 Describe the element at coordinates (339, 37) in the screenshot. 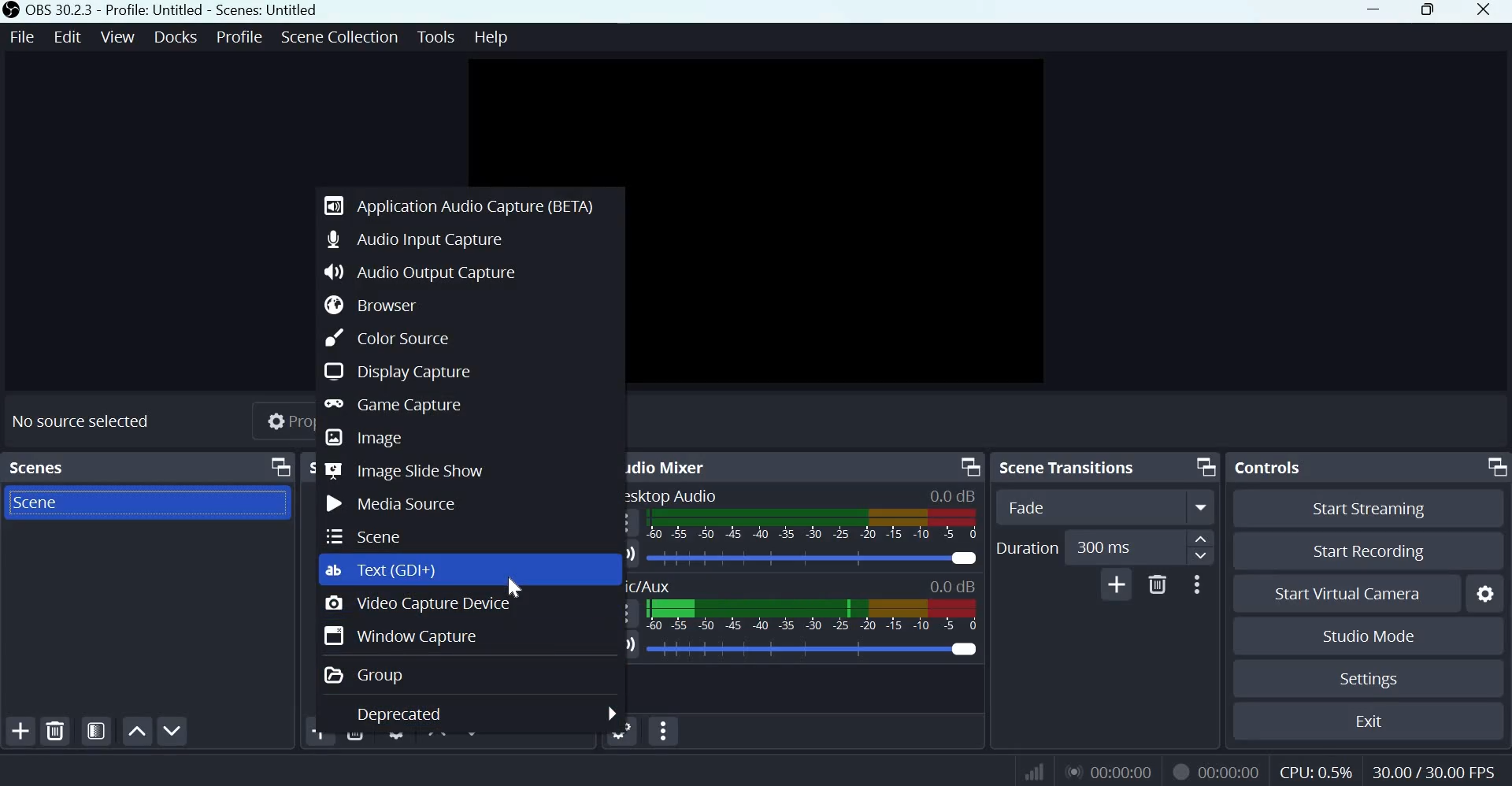

I see `Scene Collection` at that location.